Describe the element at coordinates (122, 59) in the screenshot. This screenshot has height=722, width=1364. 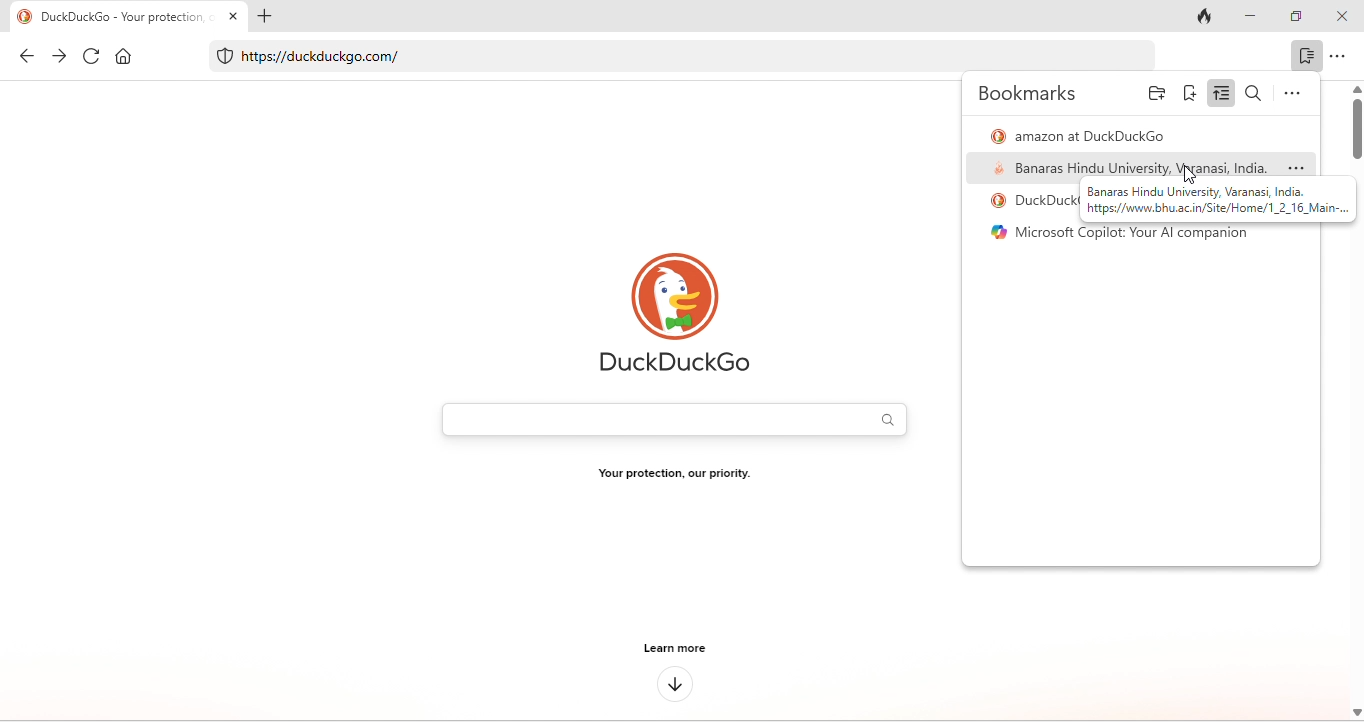
I see `home` at that location.